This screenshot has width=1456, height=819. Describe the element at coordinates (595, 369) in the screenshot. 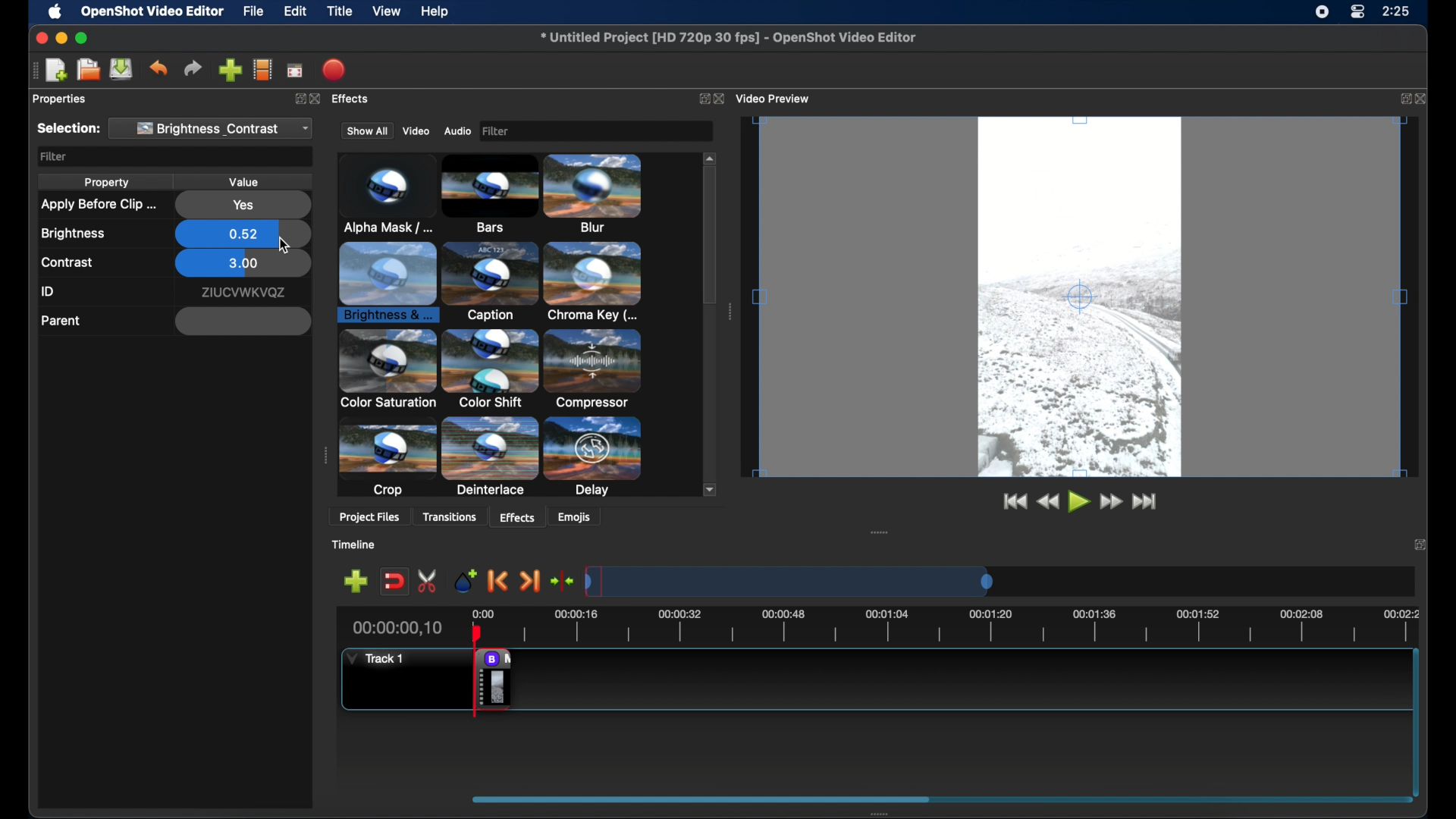

I see `delay` at that location.